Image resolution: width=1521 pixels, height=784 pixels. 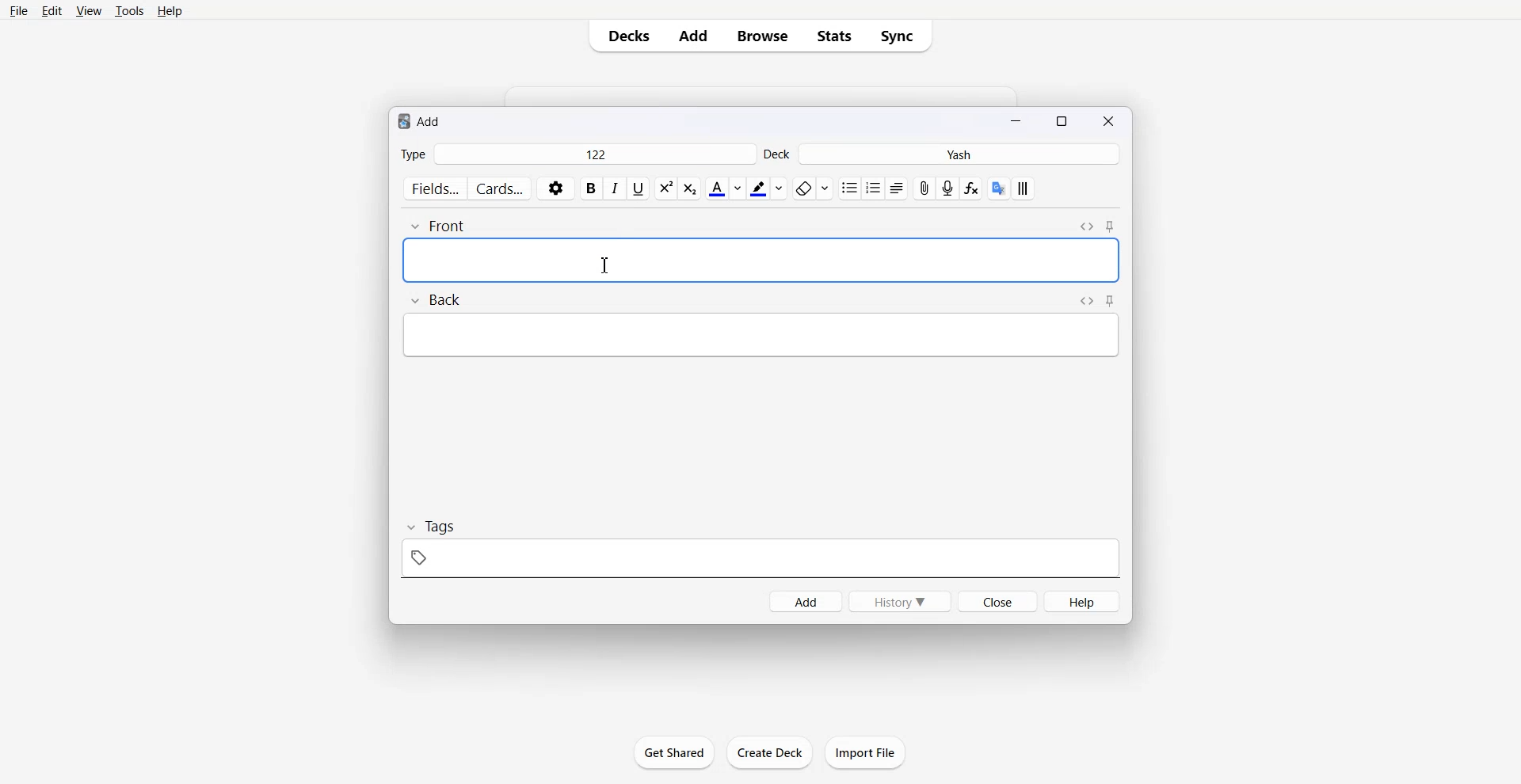 What do you see at coordinates (760, 558) in the screenshot?
I see `tag space` at bounding box center [760, 558].